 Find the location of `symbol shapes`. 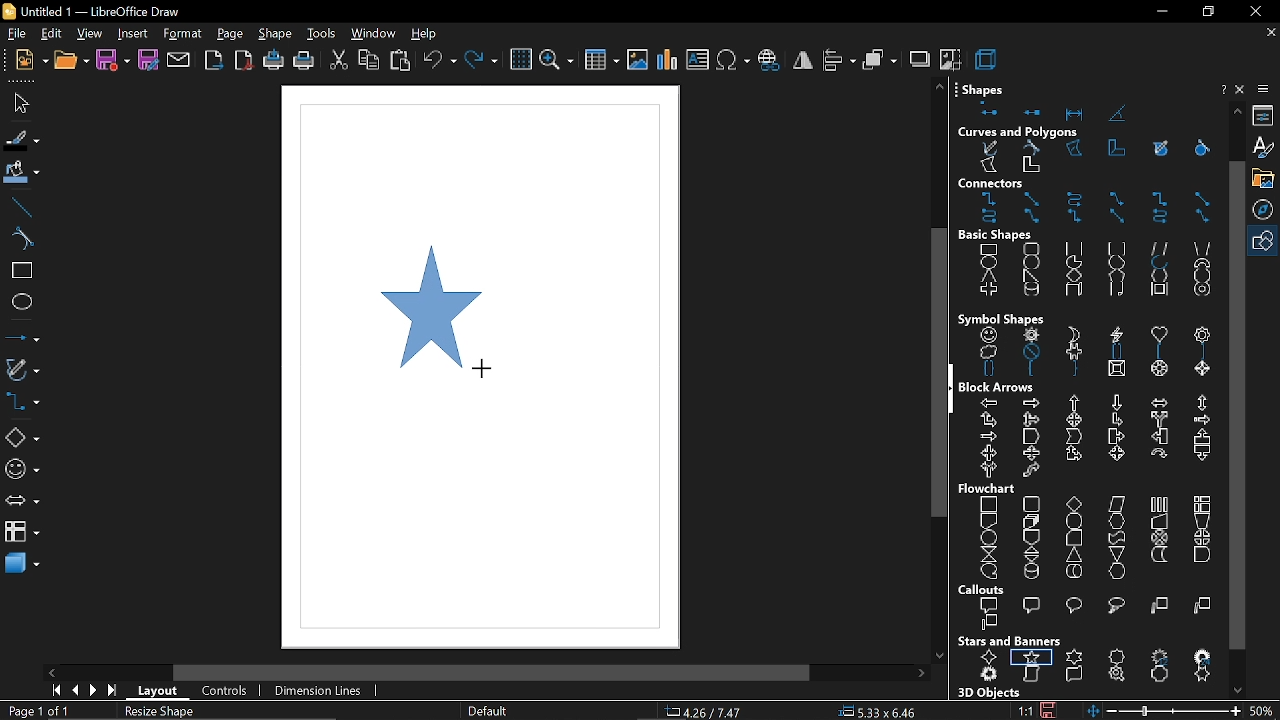

symbol shapes is located at coordinates (23, 472).